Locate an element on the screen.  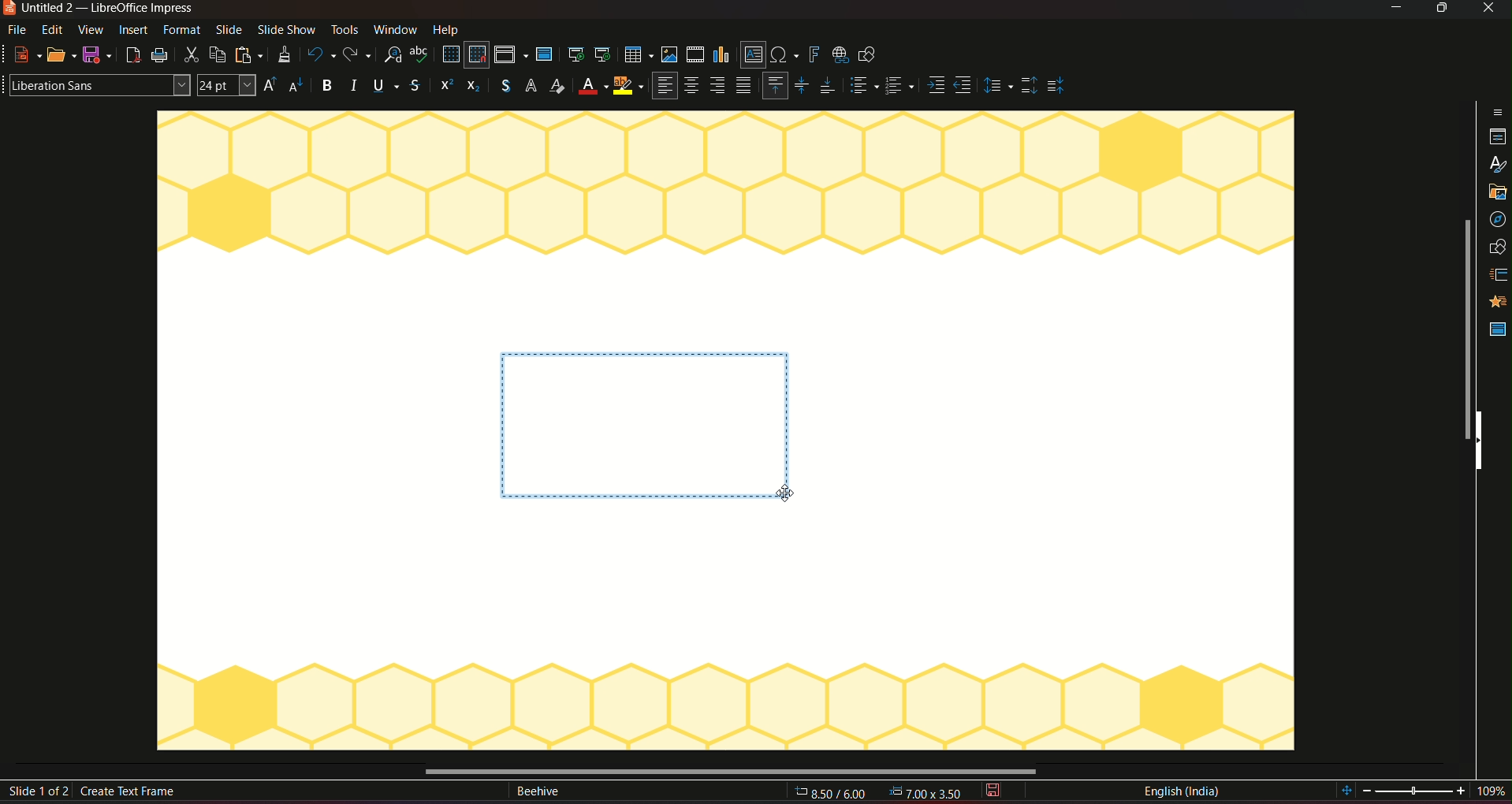
print is located at coordinates (162, 56).